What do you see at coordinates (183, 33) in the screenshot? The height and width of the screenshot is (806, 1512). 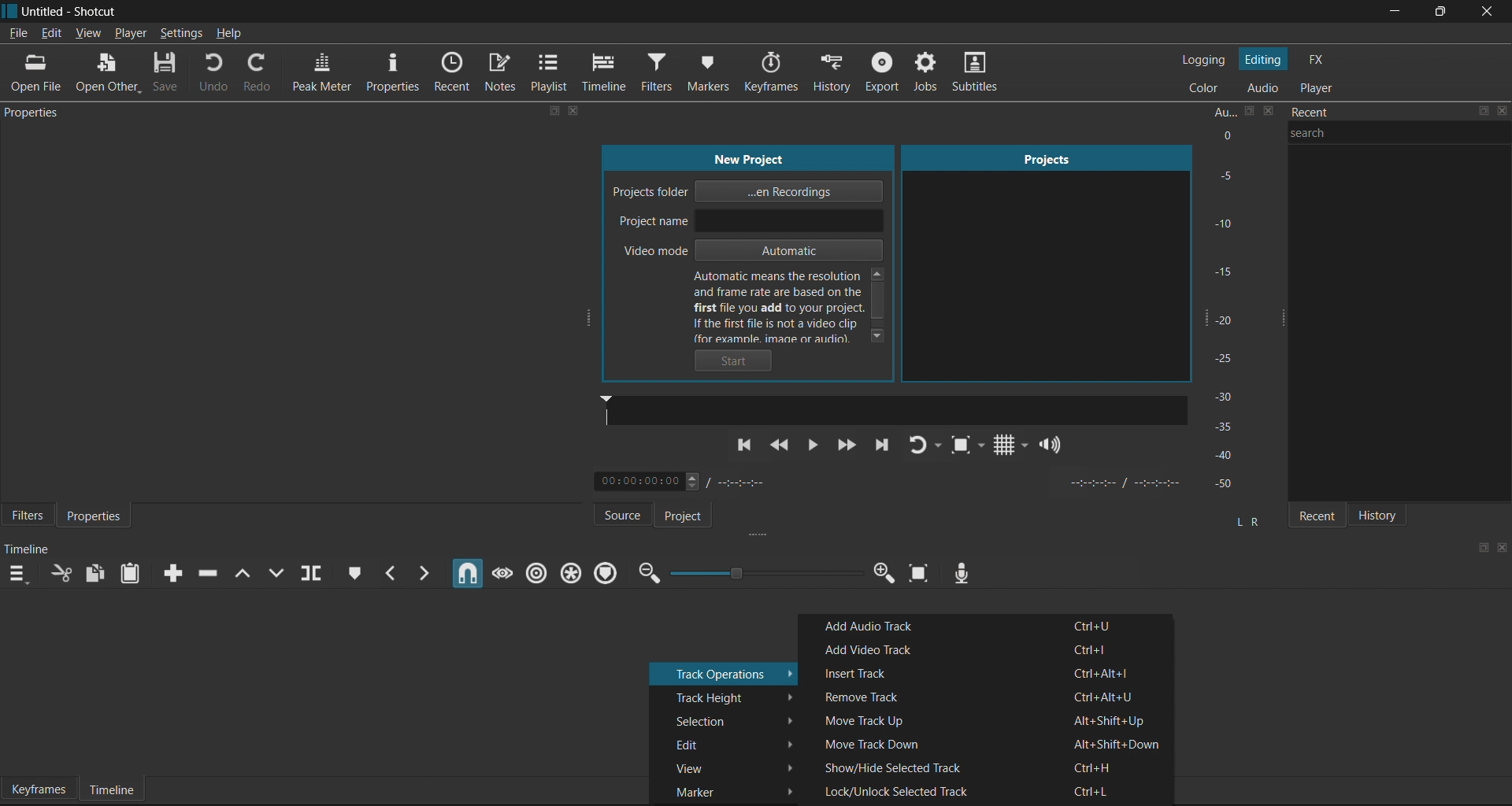 I see `Settings` at bounding box center [183, 33].